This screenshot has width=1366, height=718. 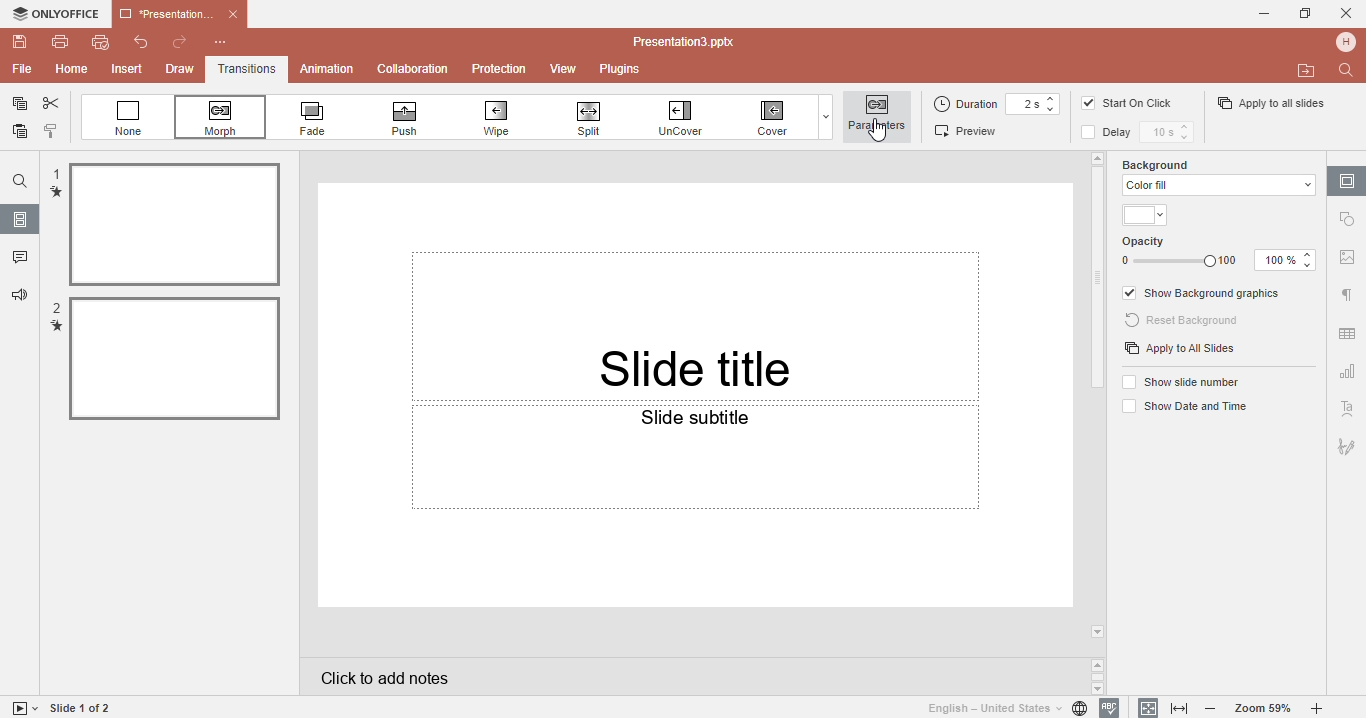 I want to click on Customize quick access toolbar, so click(x=231, y=42).